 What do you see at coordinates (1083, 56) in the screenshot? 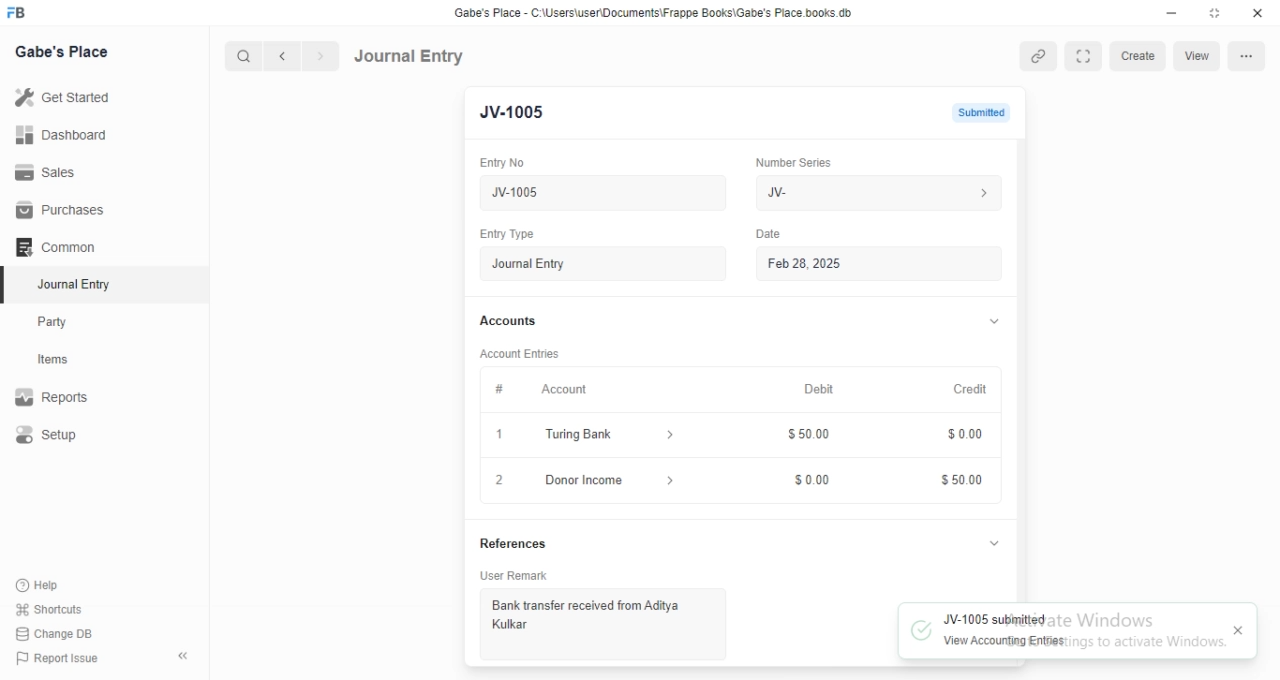
I see `full screen` at bounding box center [1083, 56].